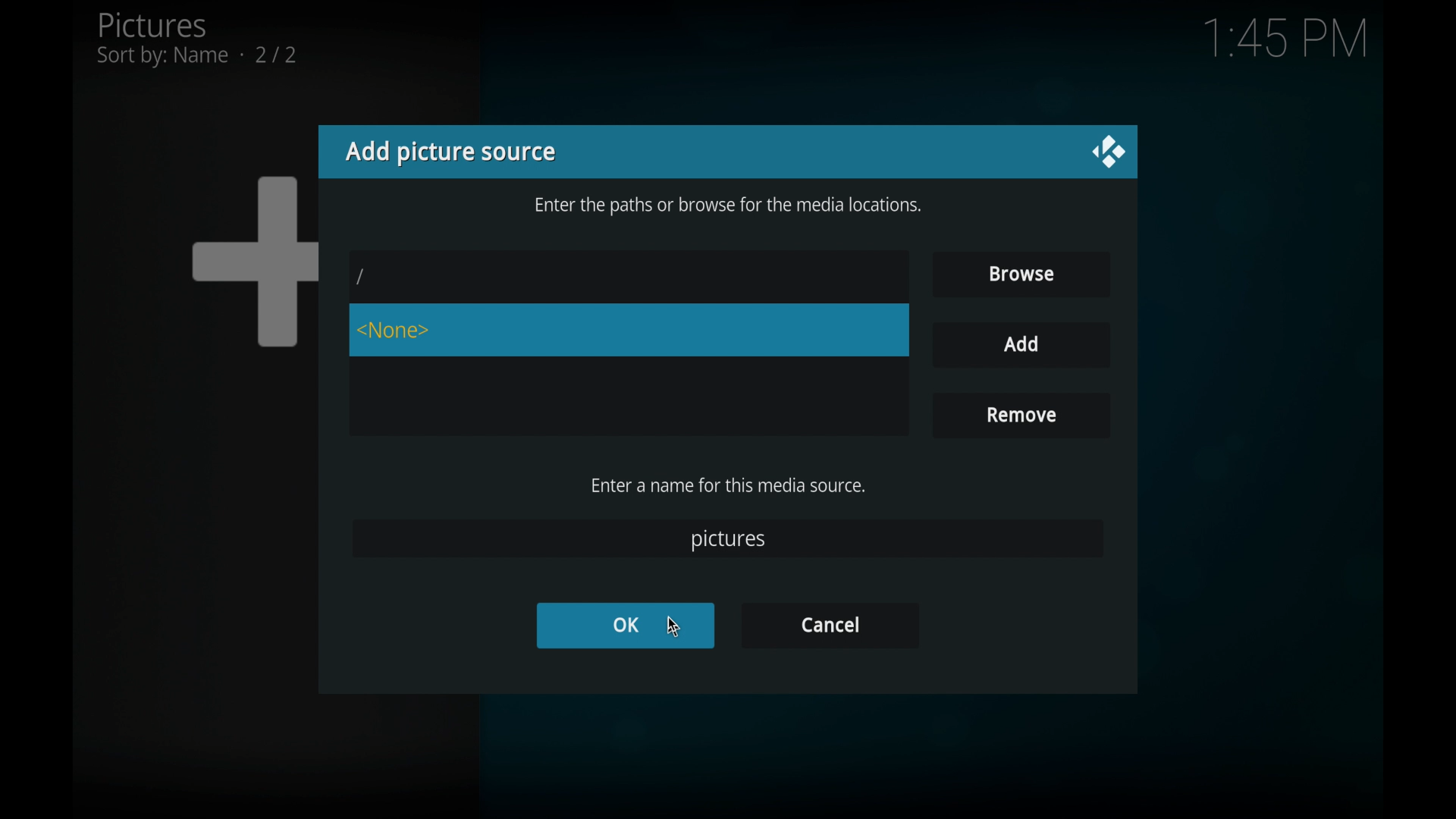 The width and height of the screenshot is (1456, 819). What do you see at coordinates (1285, 39) in the screenshot?
I see `time` at bounding box center [1285, 39].